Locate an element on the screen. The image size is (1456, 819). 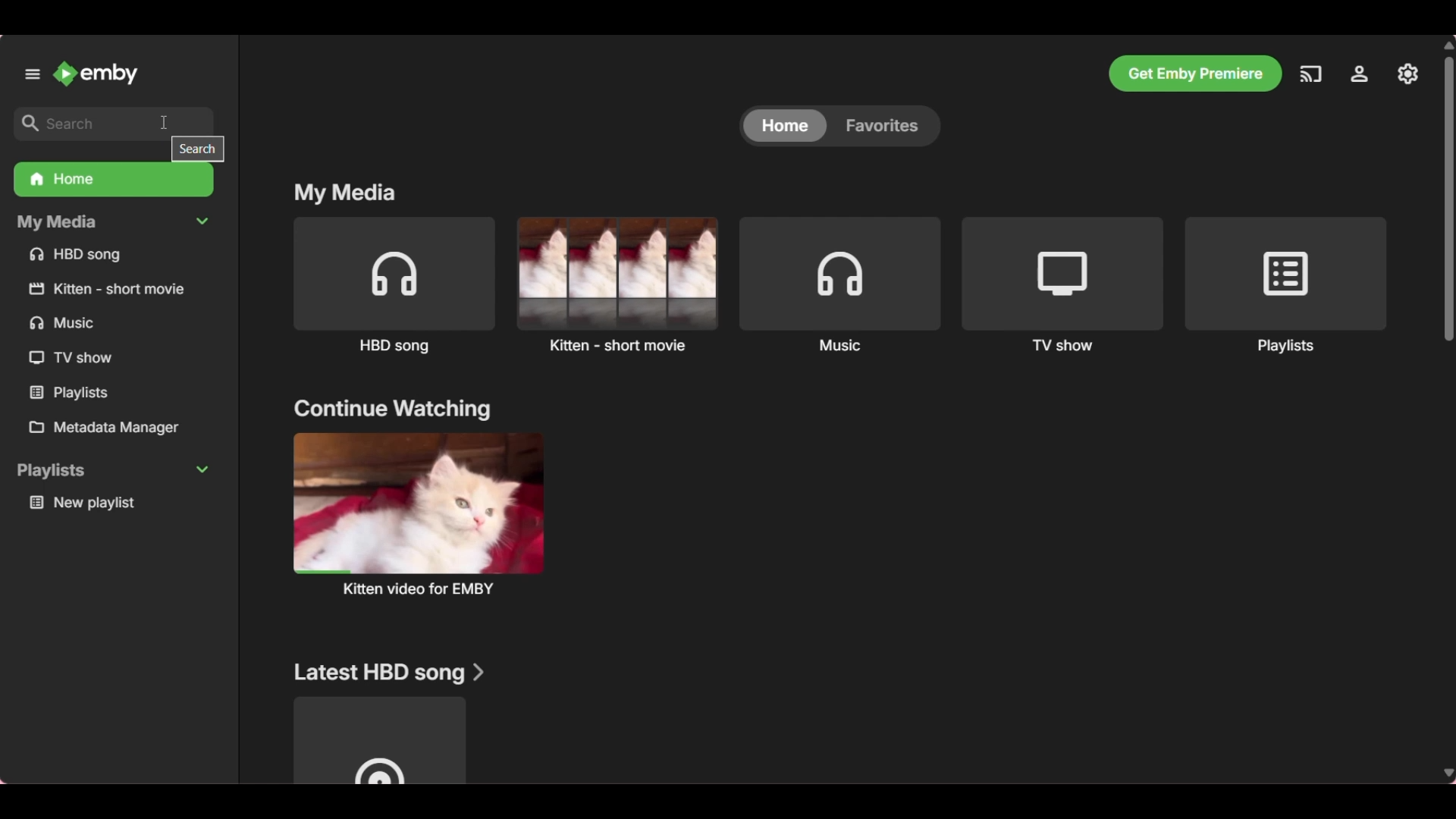
Favorites is located at coordinates (886, 125).